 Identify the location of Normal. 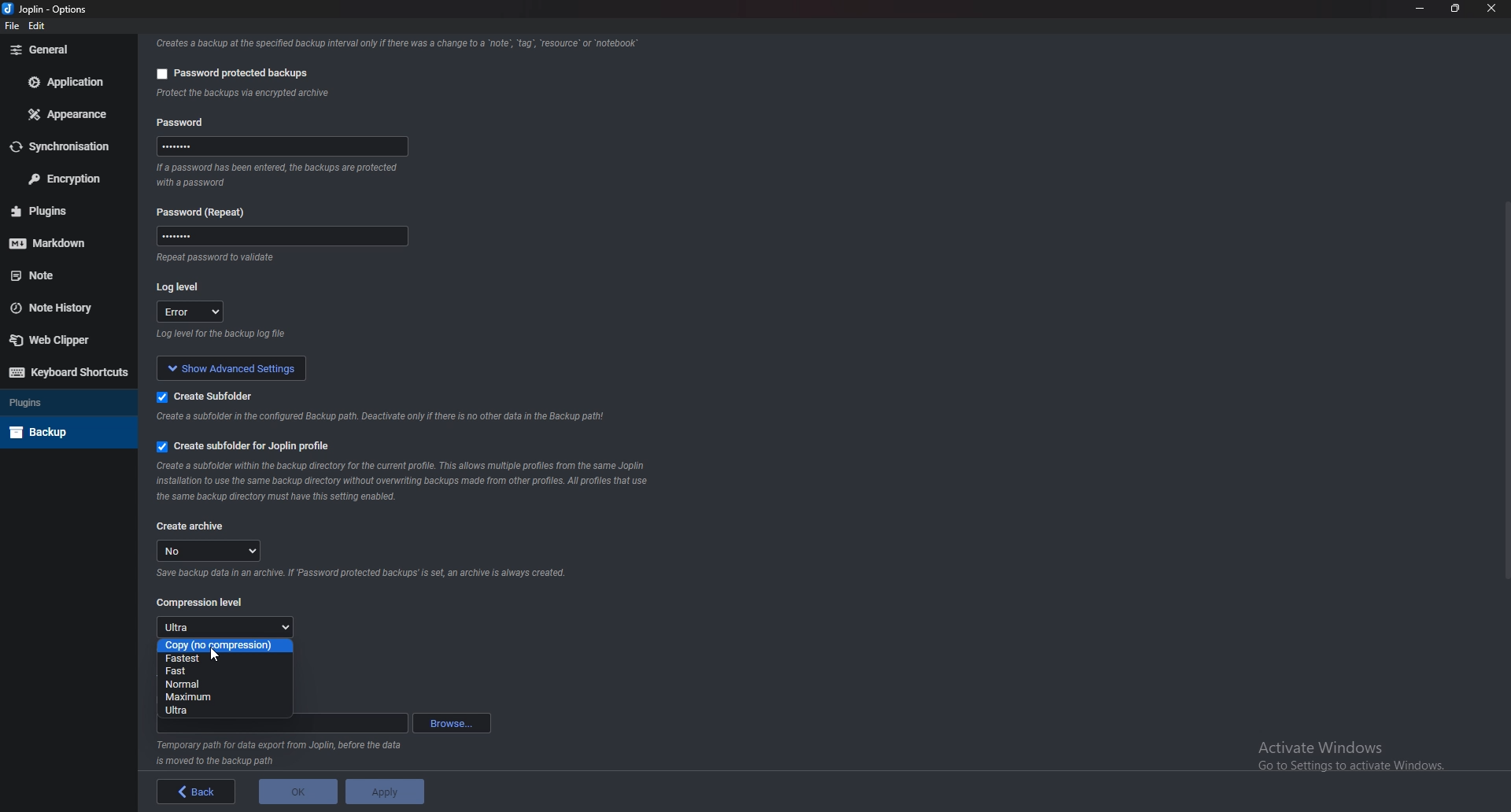
(215, 685).